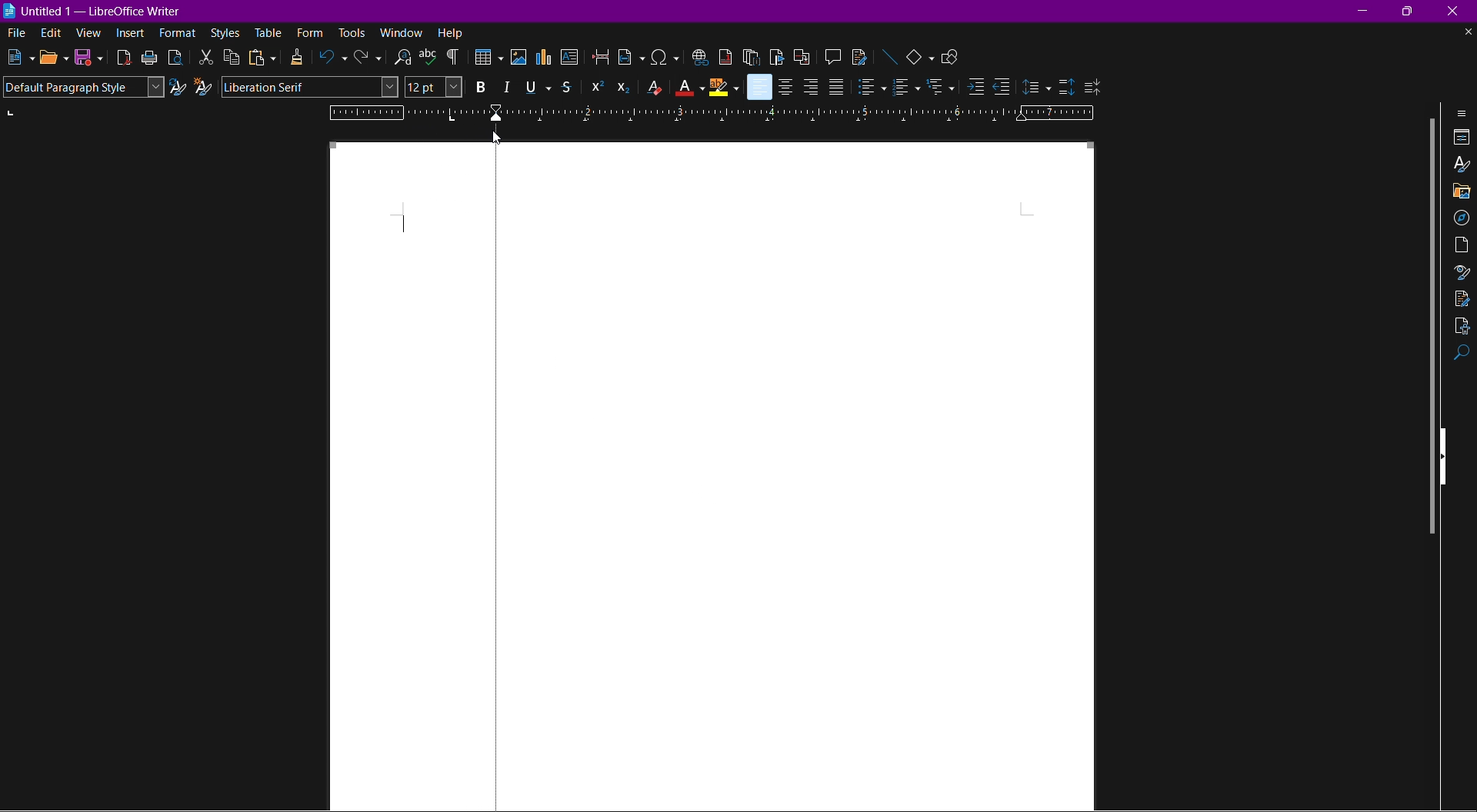 This screenshot has height=812, width=1477. I want to click on Insert Image, so click(519, 58).